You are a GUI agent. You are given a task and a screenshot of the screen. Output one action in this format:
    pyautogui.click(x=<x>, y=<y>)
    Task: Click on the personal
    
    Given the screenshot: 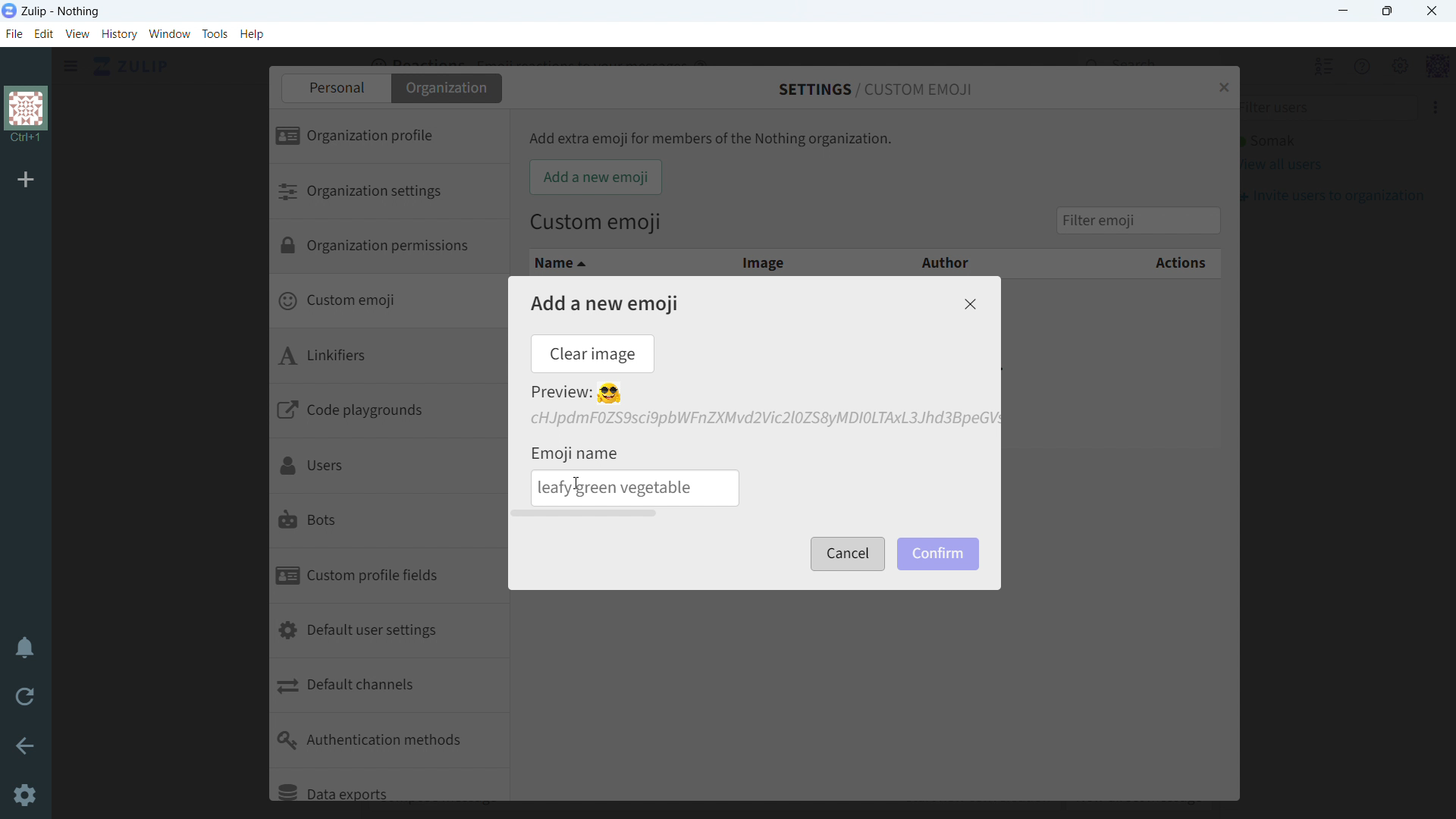 What is the action you would take?
    pyautogui.click(x=334, y=88)
    